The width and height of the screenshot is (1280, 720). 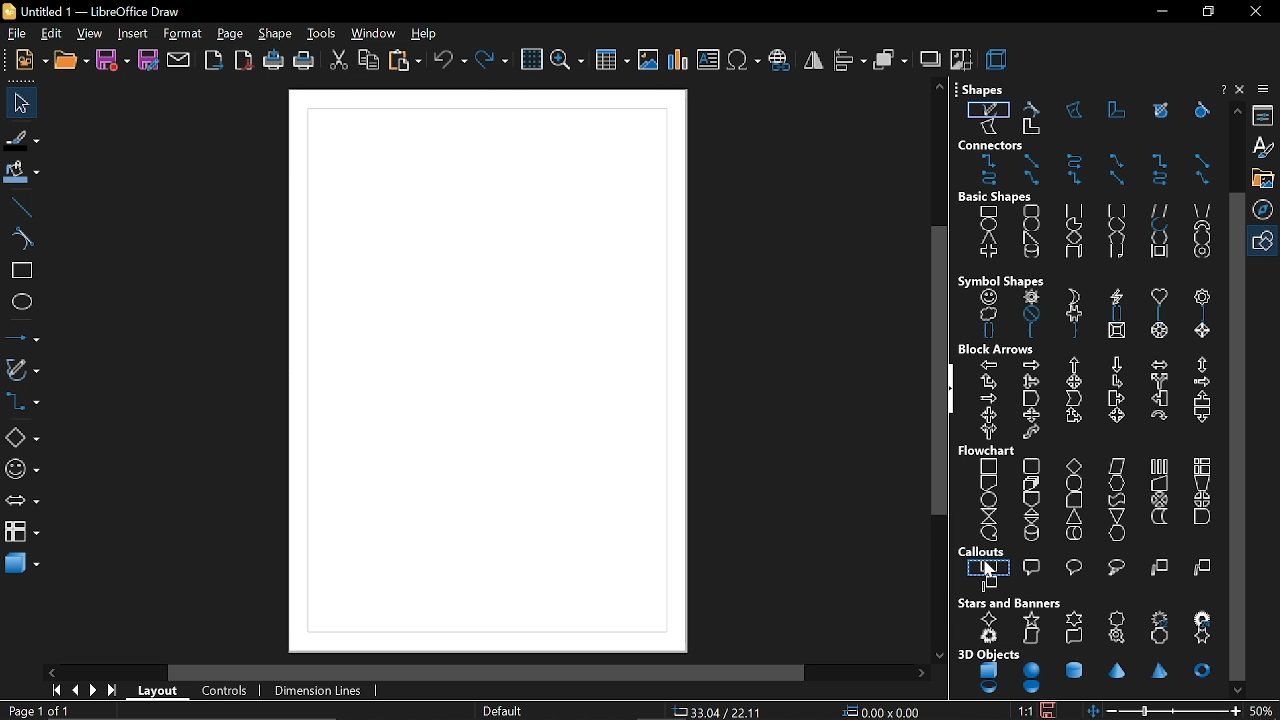 I want to click on arc, so click(x=1158, y=227).